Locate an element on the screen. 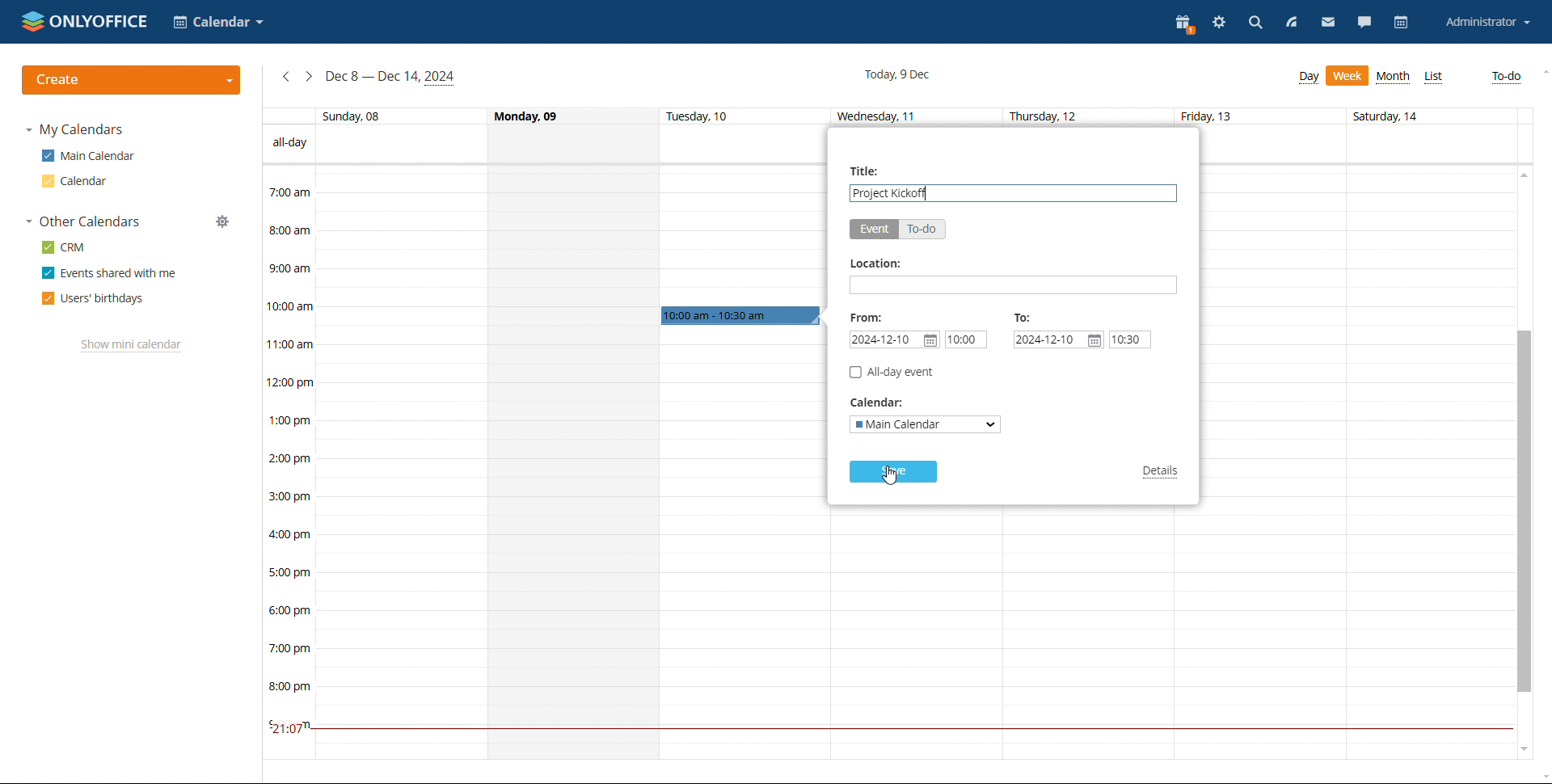  search is located at coordinates (1255, 25).